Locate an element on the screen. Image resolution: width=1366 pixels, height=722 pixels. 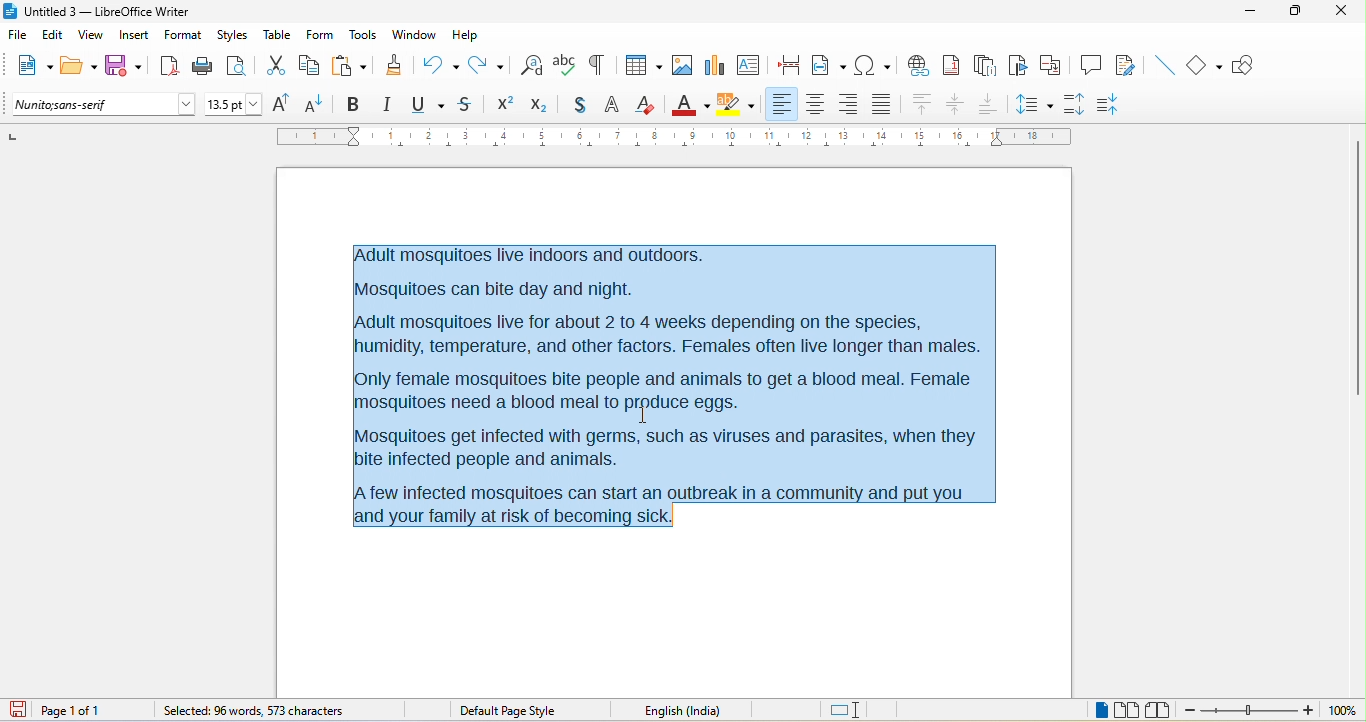
outline font effect is located at coordinates (612, 107).